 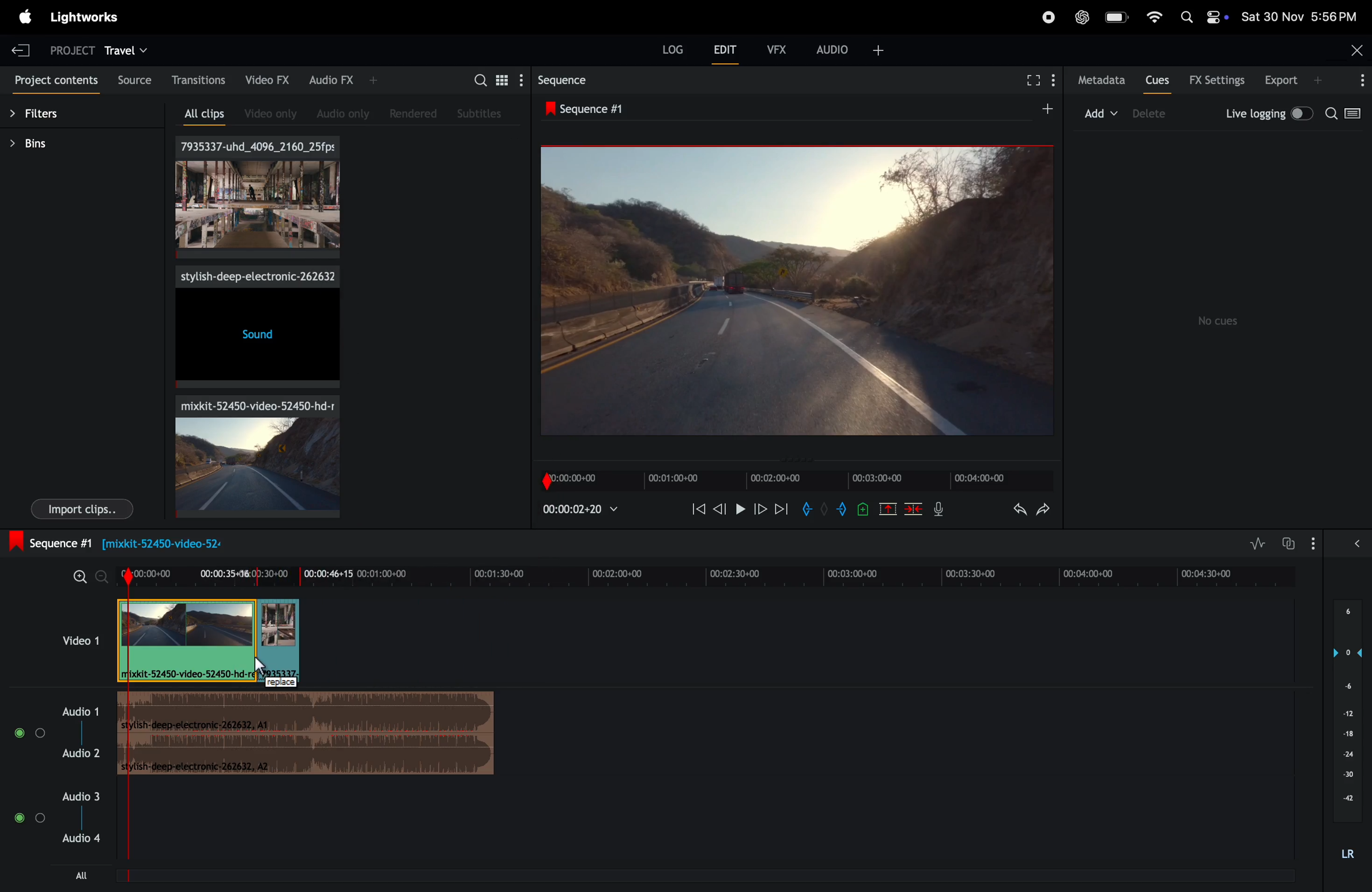 I want to click on timeframe, so click(x=789, y=476).